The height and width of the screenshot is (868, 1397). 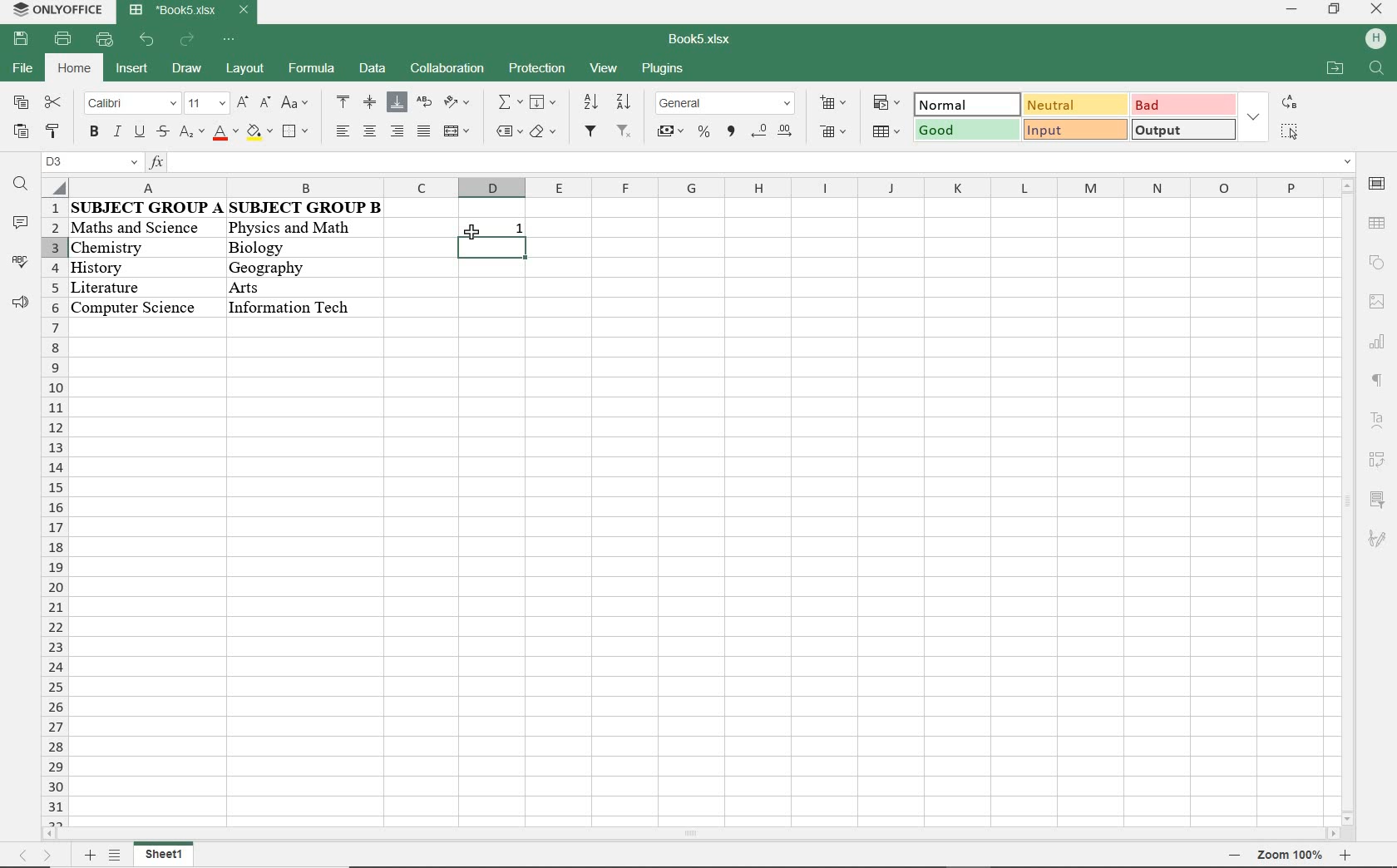 I want to click on insert function, so click(x=751, y=163).